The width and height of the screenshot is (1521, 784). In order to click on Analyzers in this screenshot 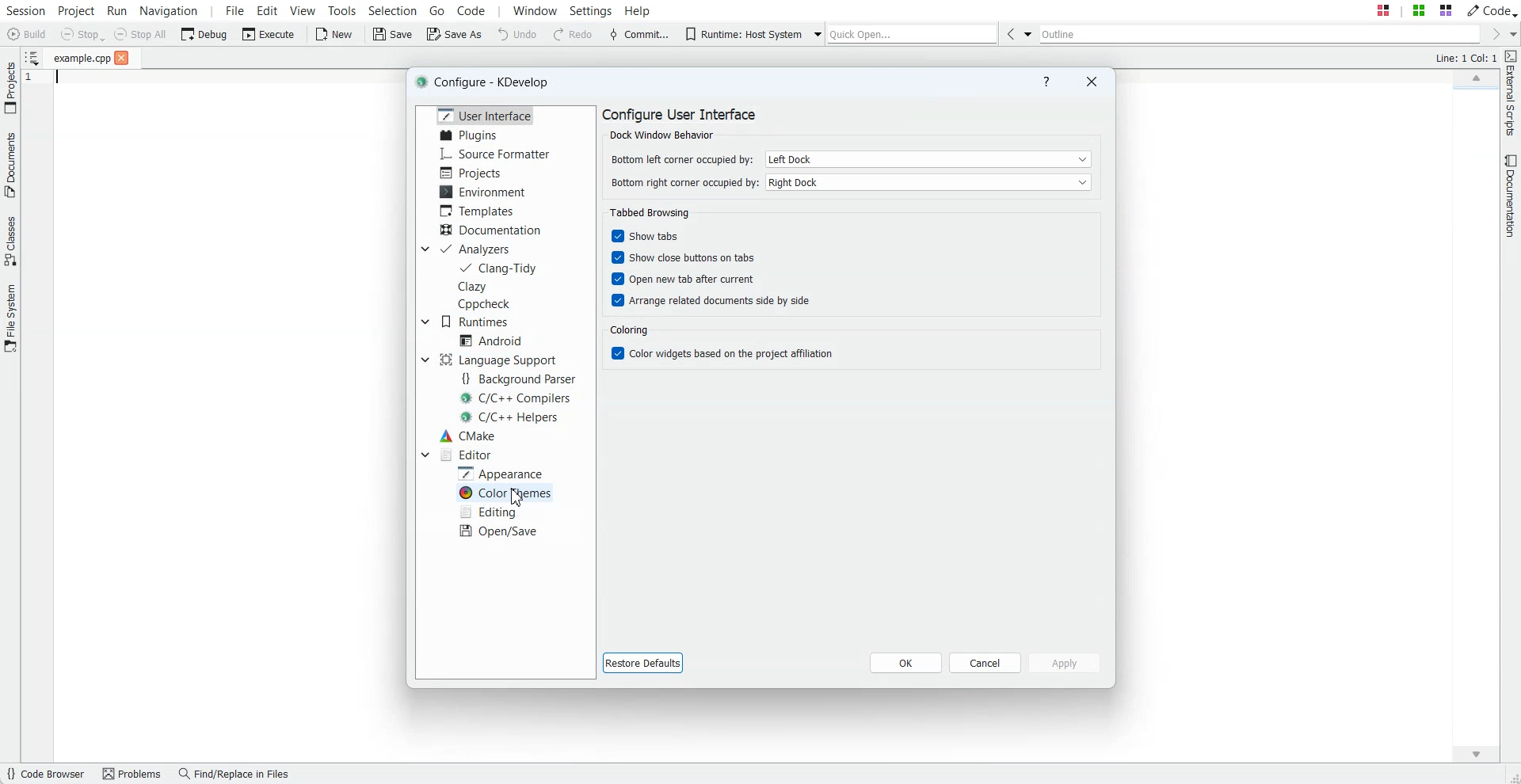, I will do `click(478, 249)`.